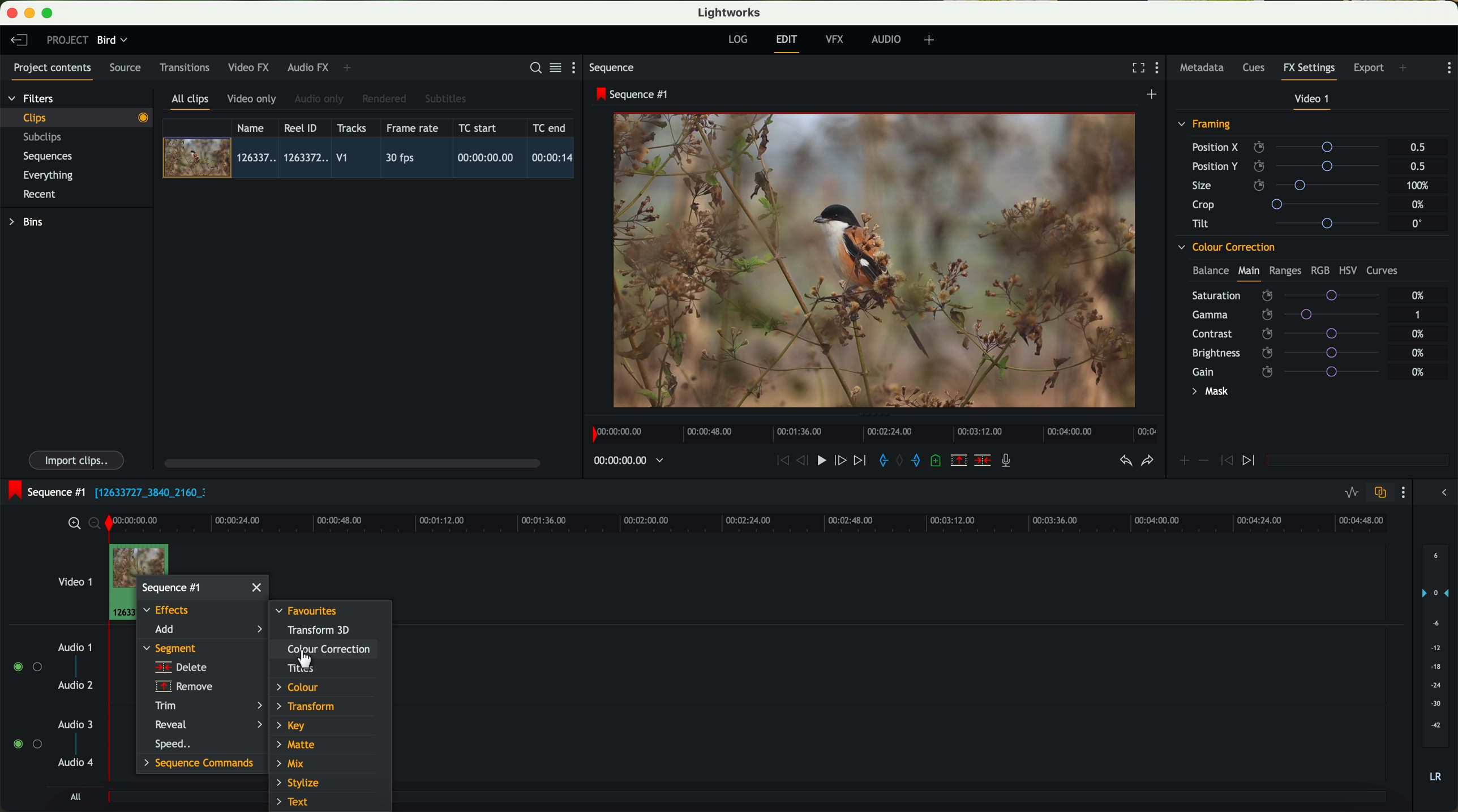 The height and width of the screenshot is (812, 1458). I want to click on sequence commands, so click(203, 764).